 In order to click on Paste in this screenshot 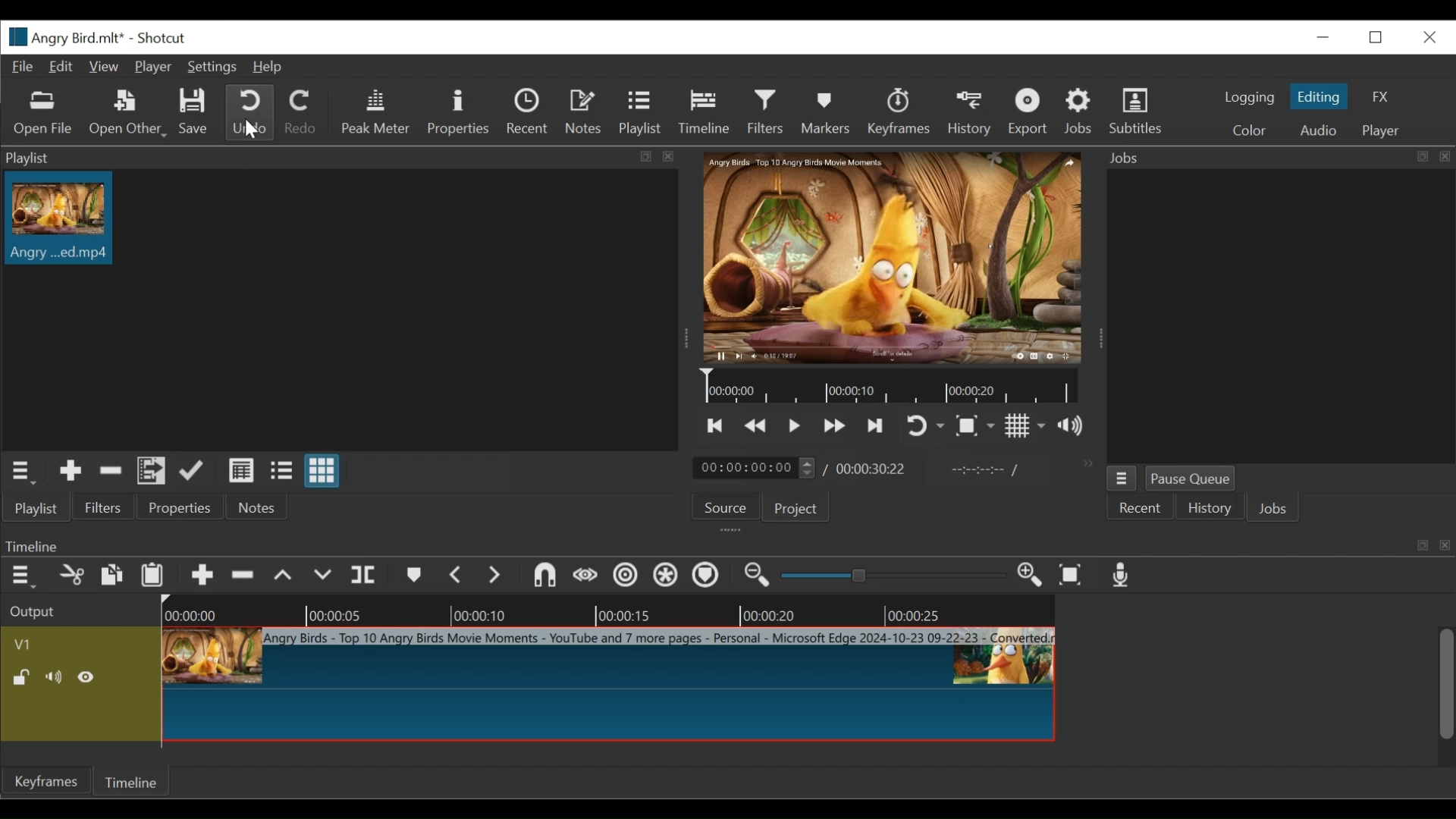, I will do `click(111, 575)`.